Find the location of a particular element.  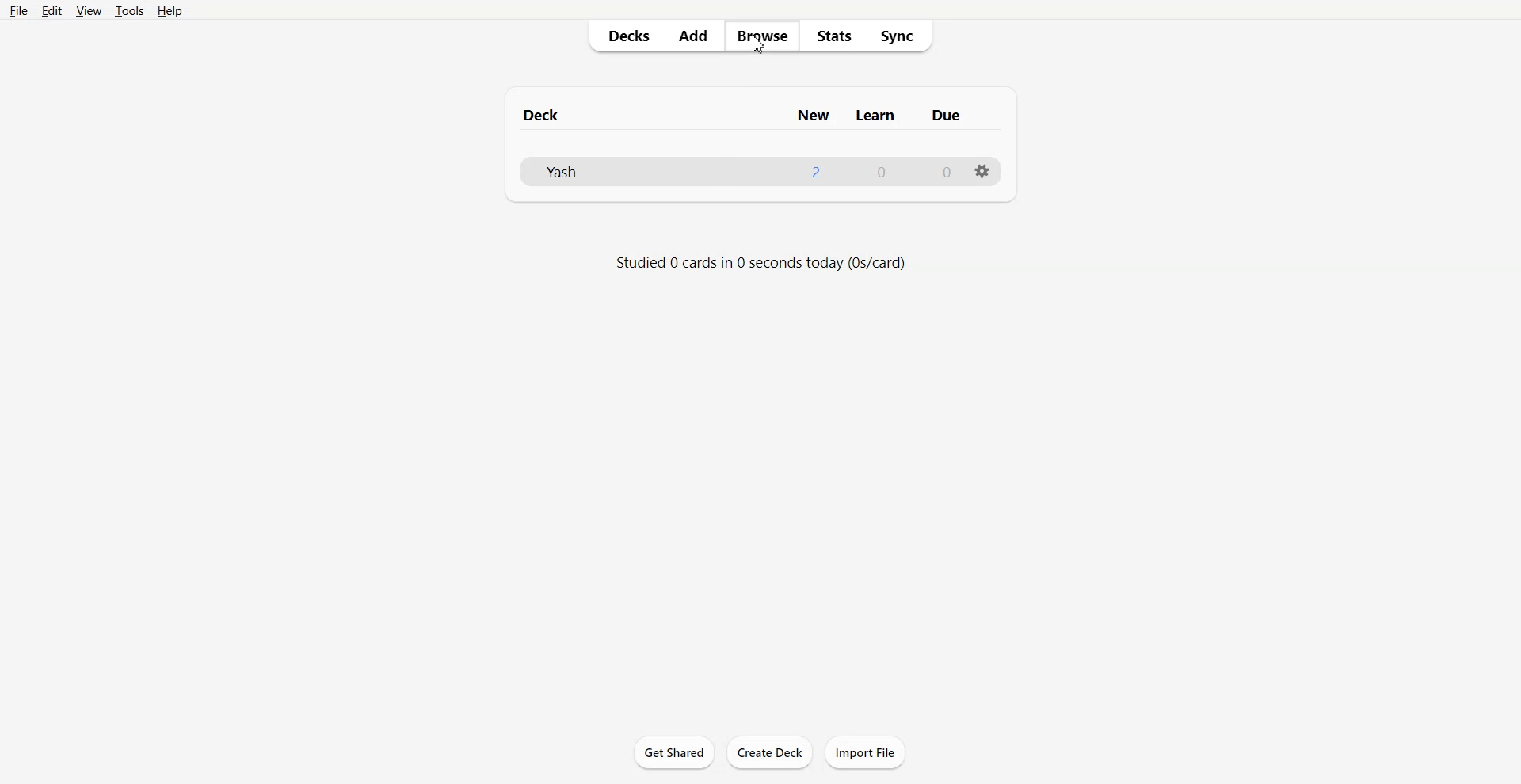

cursor is located at coordinates (764, 55).